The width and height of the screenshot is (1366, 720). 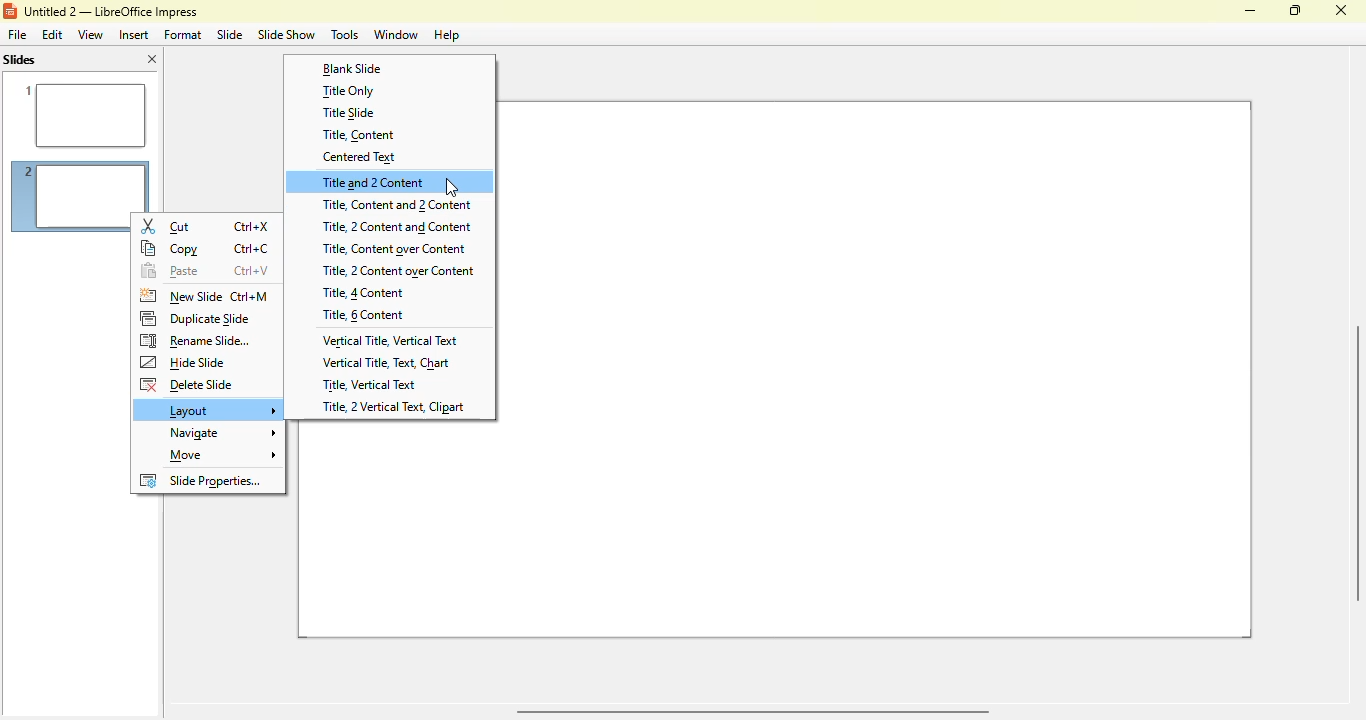 What do you see at coordinates (19, 60) in the screenshot?
I see `slides` at bounding box center [19, 60].